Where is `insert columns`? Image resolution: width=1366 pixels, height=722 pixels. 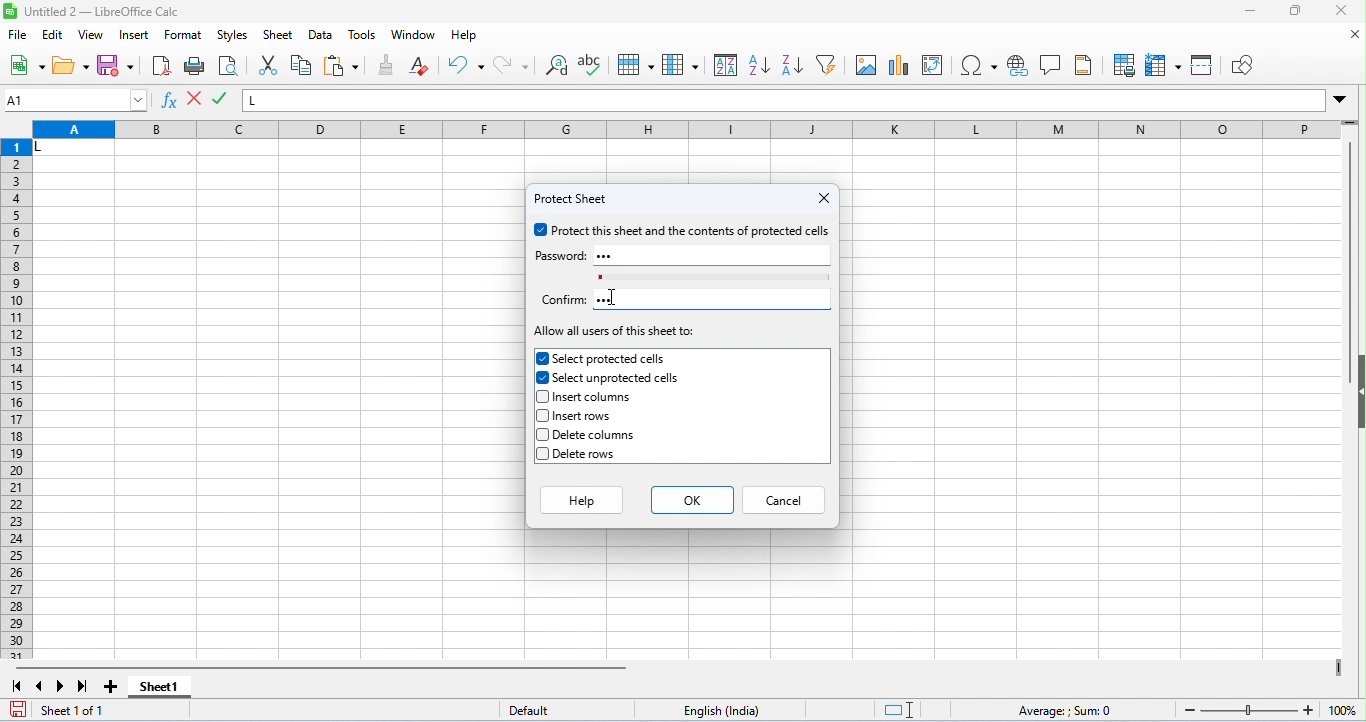 insert columns is located at coordinates (590, 398).